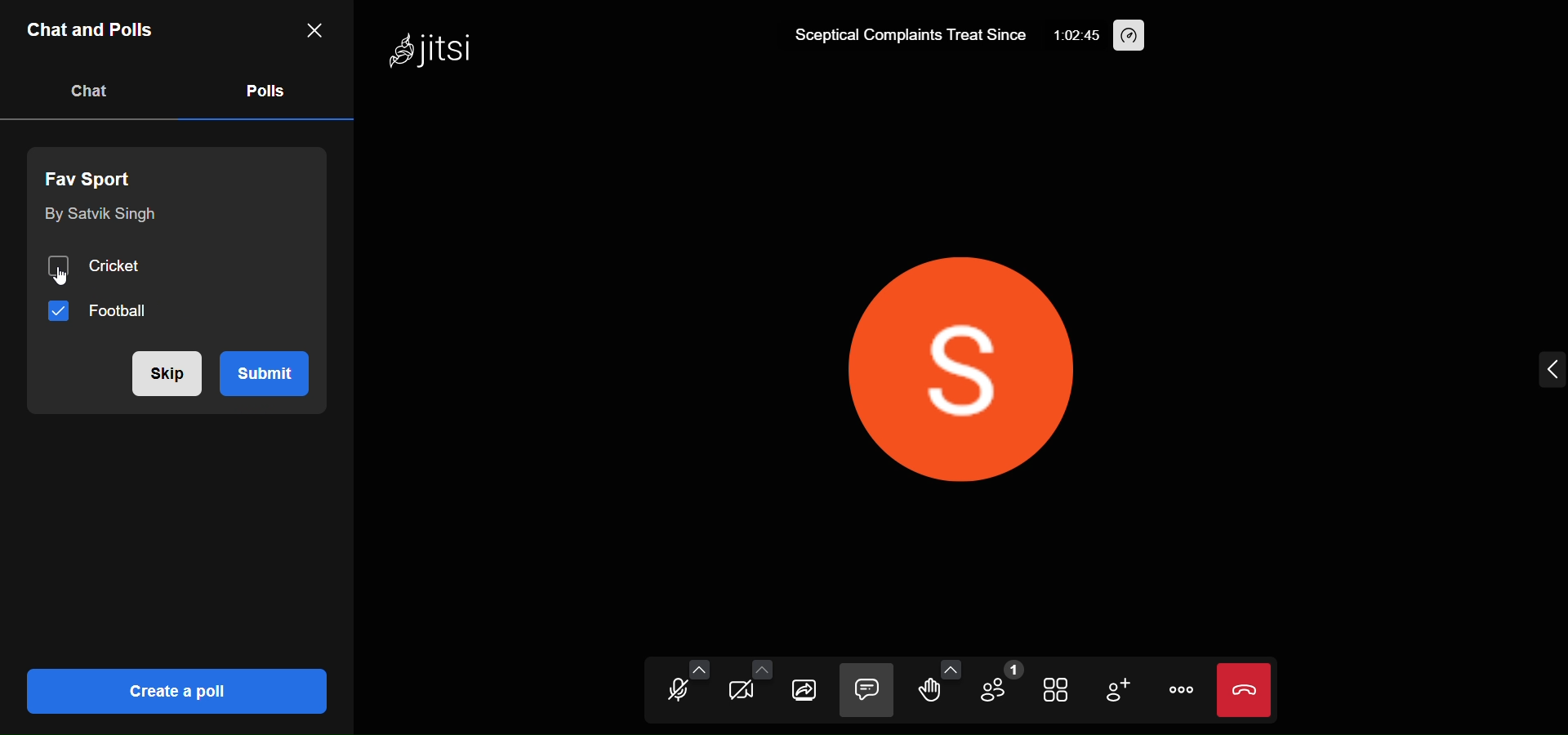 Image resolution: width=1568 pixels, height=735 pixels. I want to click on tile view, so click(1058, 692).